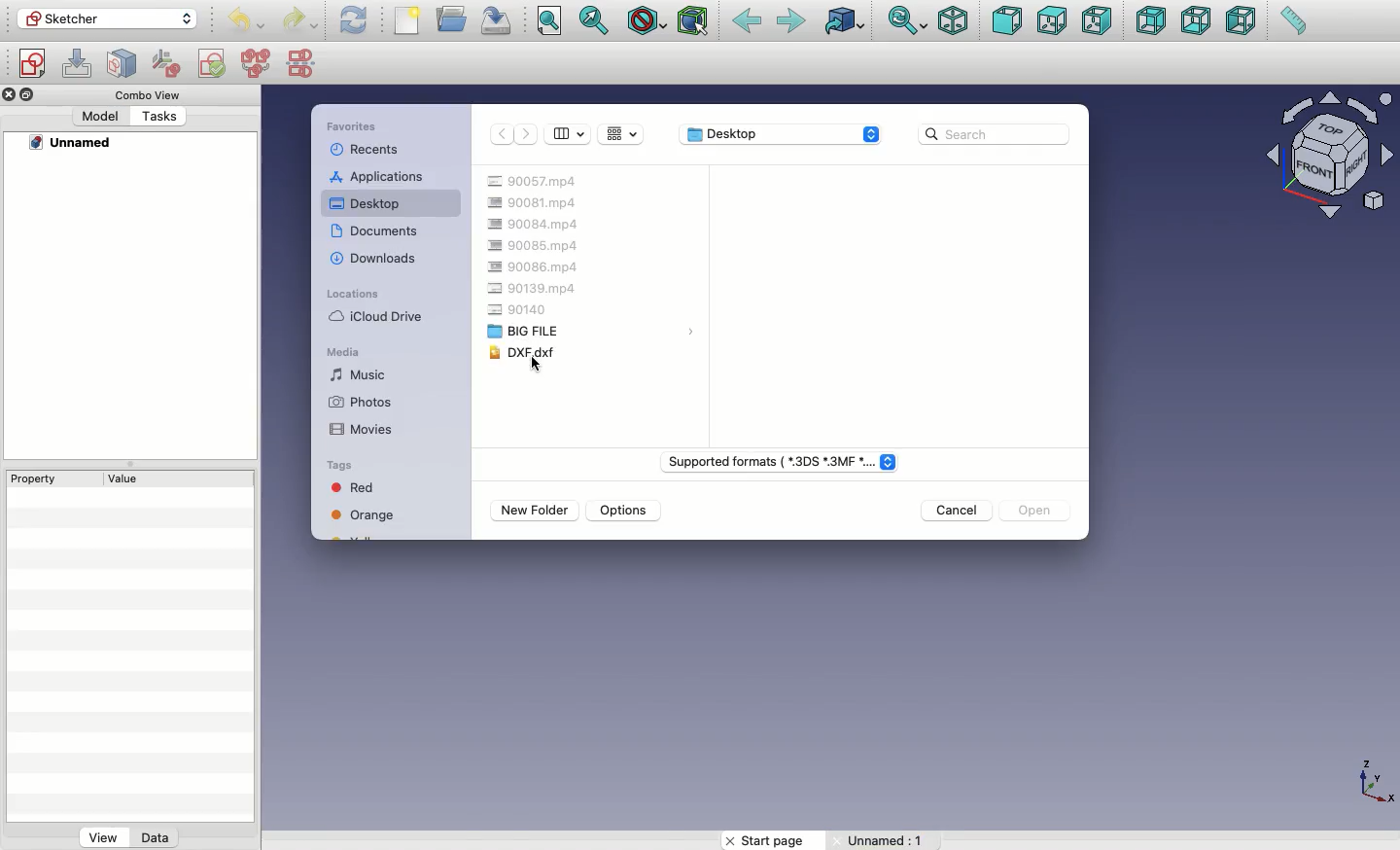  What do you see at coordinates (571, 133) in the screenshot?
I see `View` at bounding box center [571, 133].